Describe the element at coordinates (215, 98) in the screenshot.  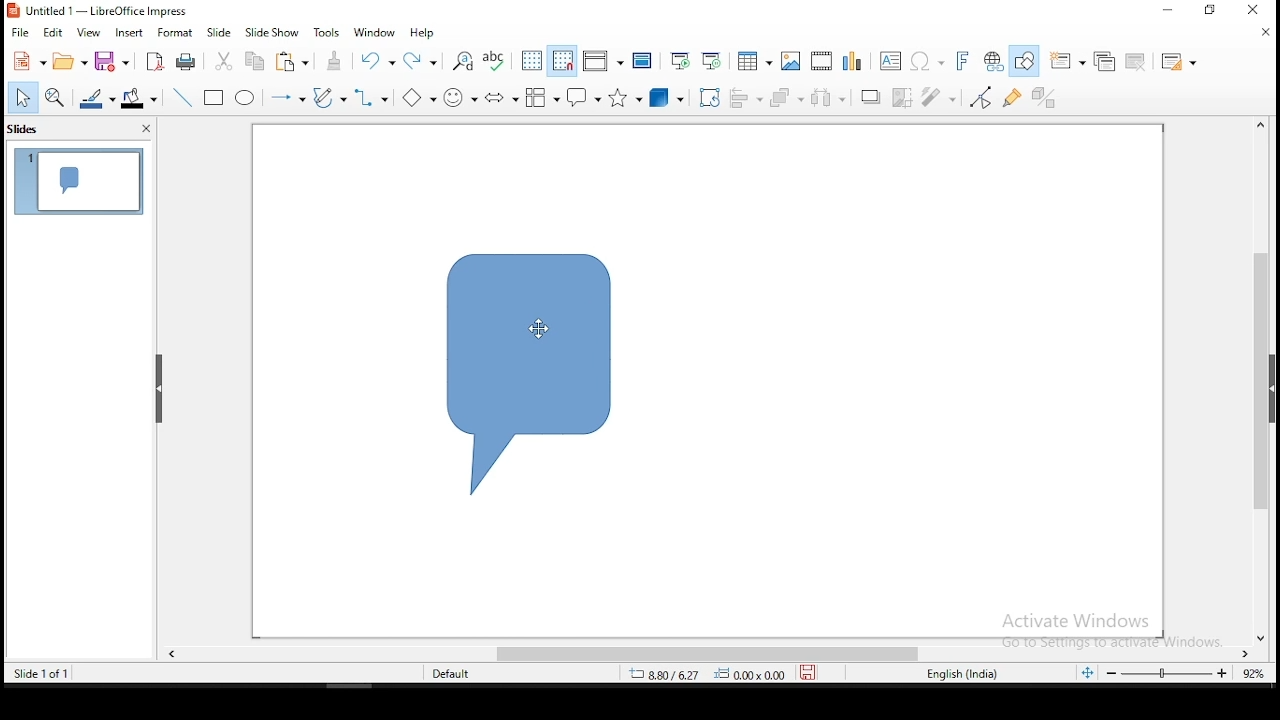
I see `rectangle` at that location.